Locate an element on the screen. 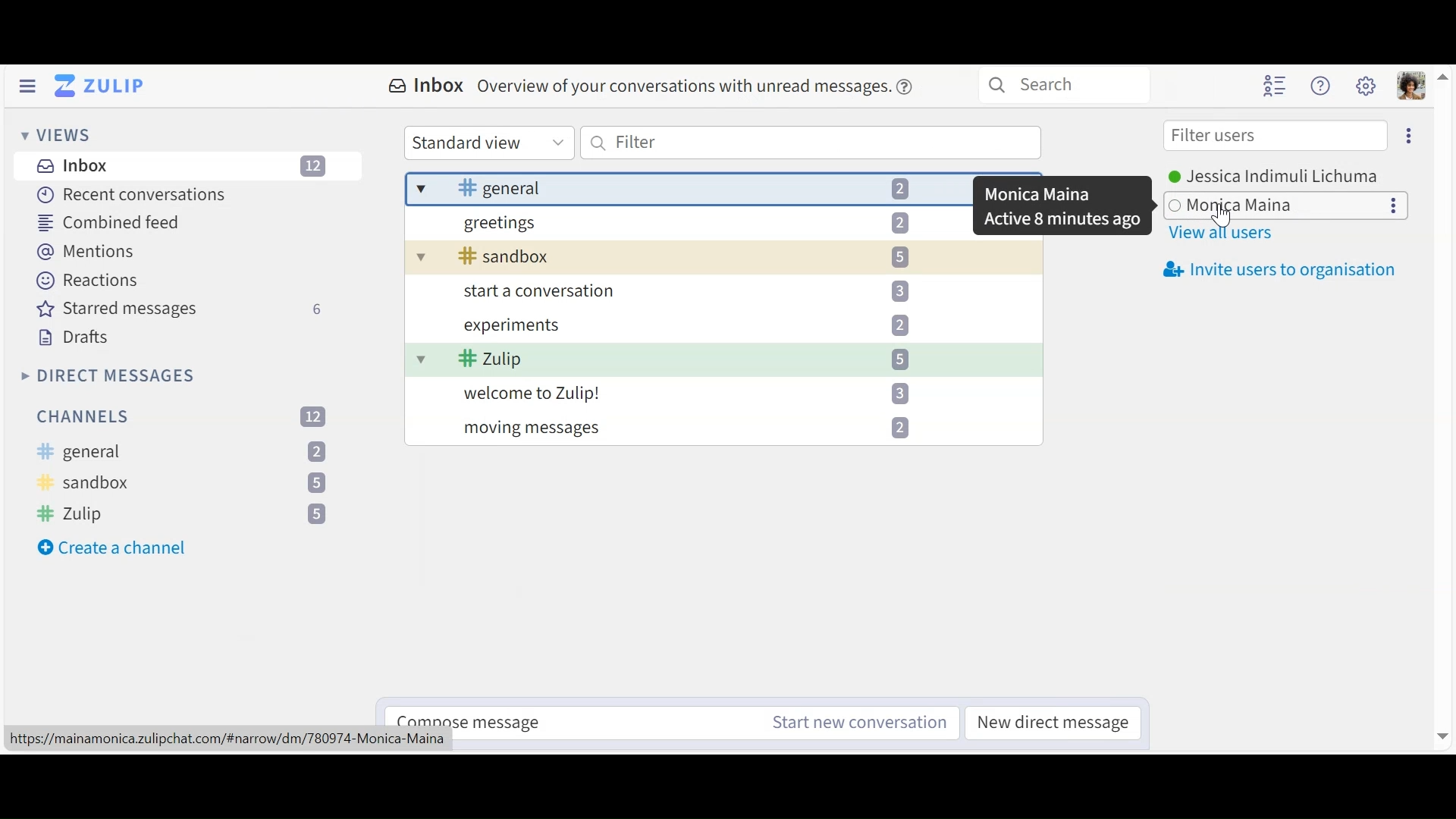 The height and width of the screenshot is (819, 1456). Invite users to oragnisation is located at coordinates (1282, 268).